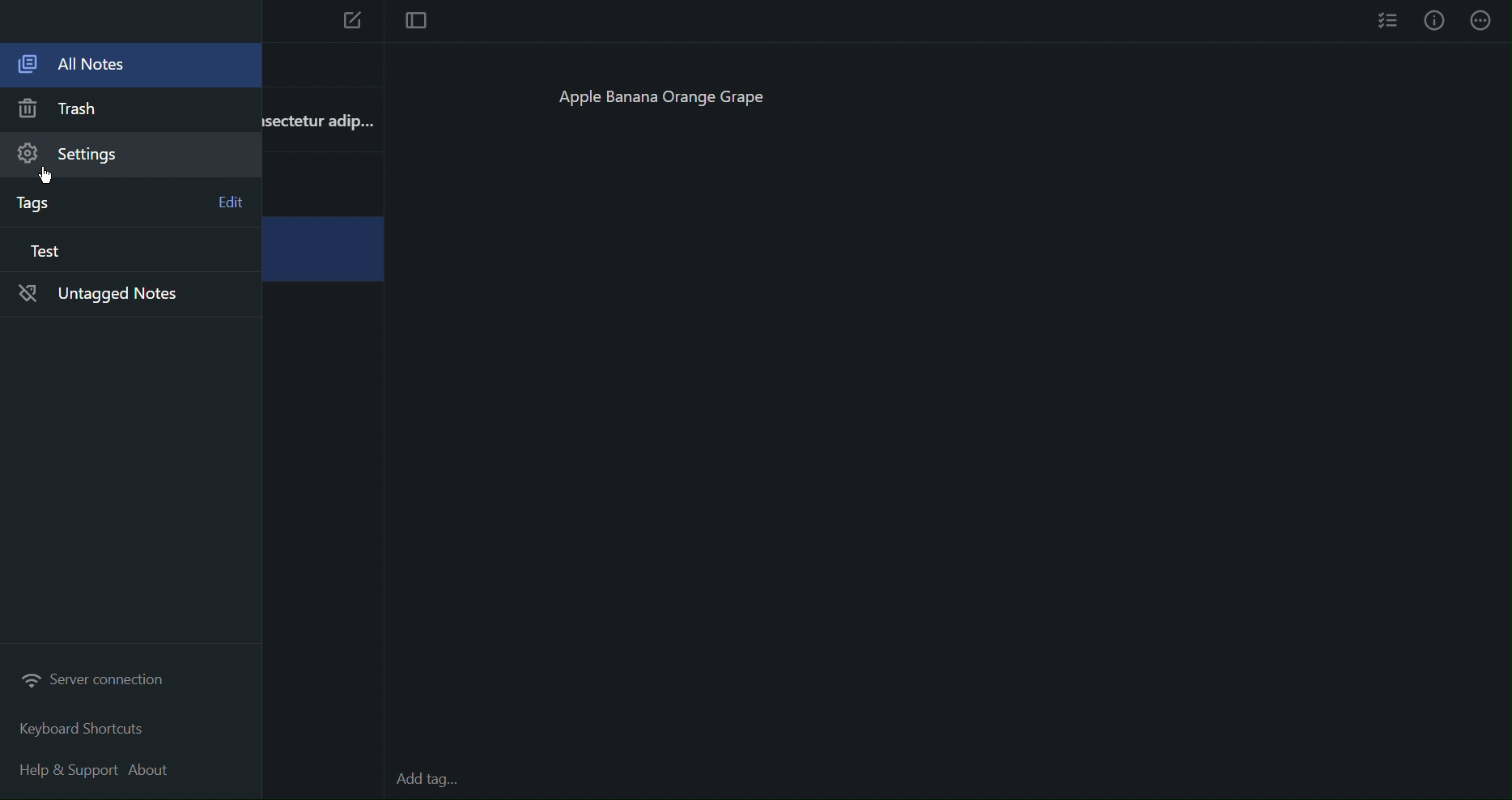 This screenshot has width=1512, height=800. What do you see at coordinates (1434, 20) in the screenshot?
I see `Info` at bounding box center [1434, 20].